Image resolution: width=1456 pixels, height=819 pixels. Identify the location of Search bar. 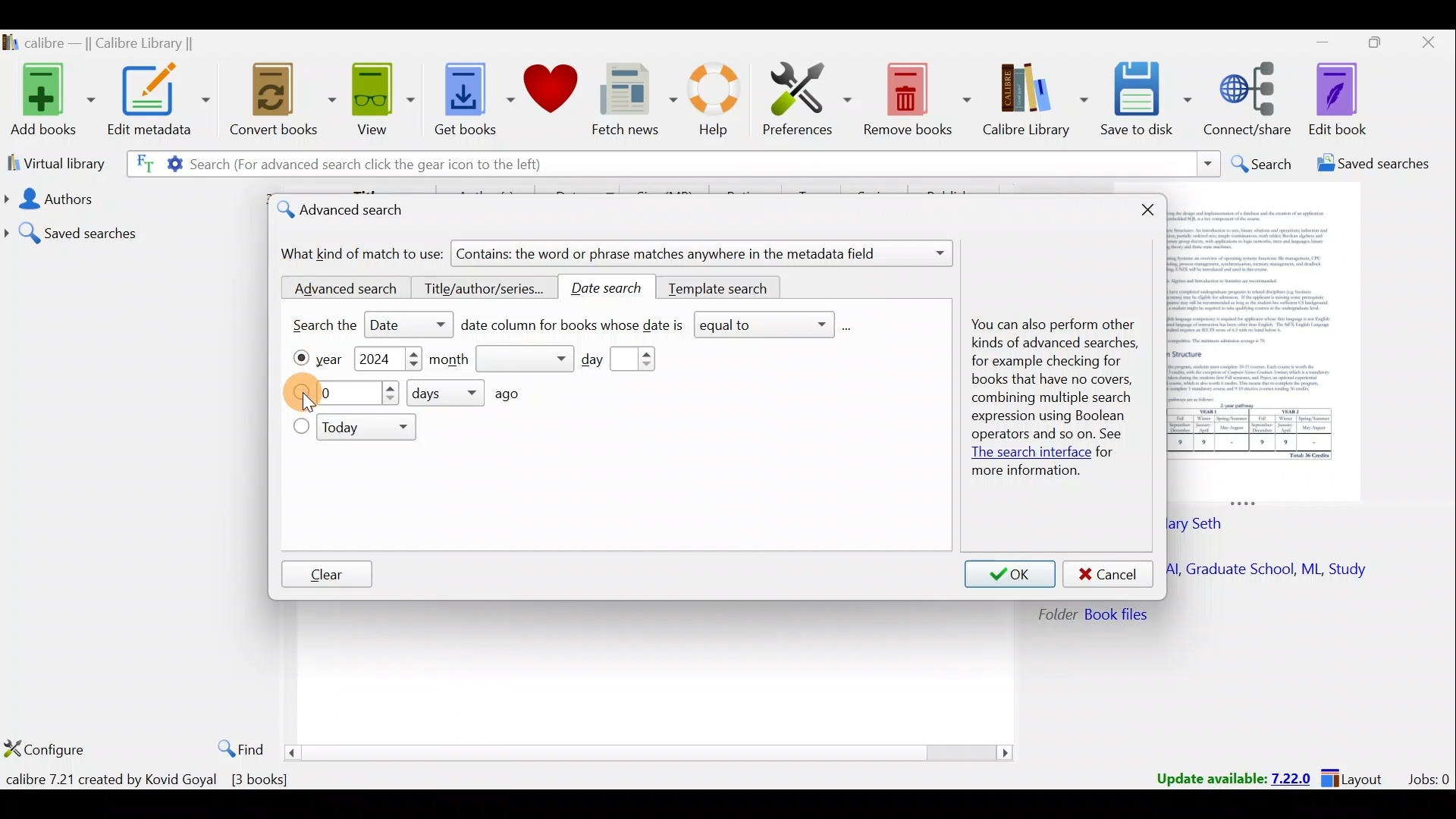
(883, 163).